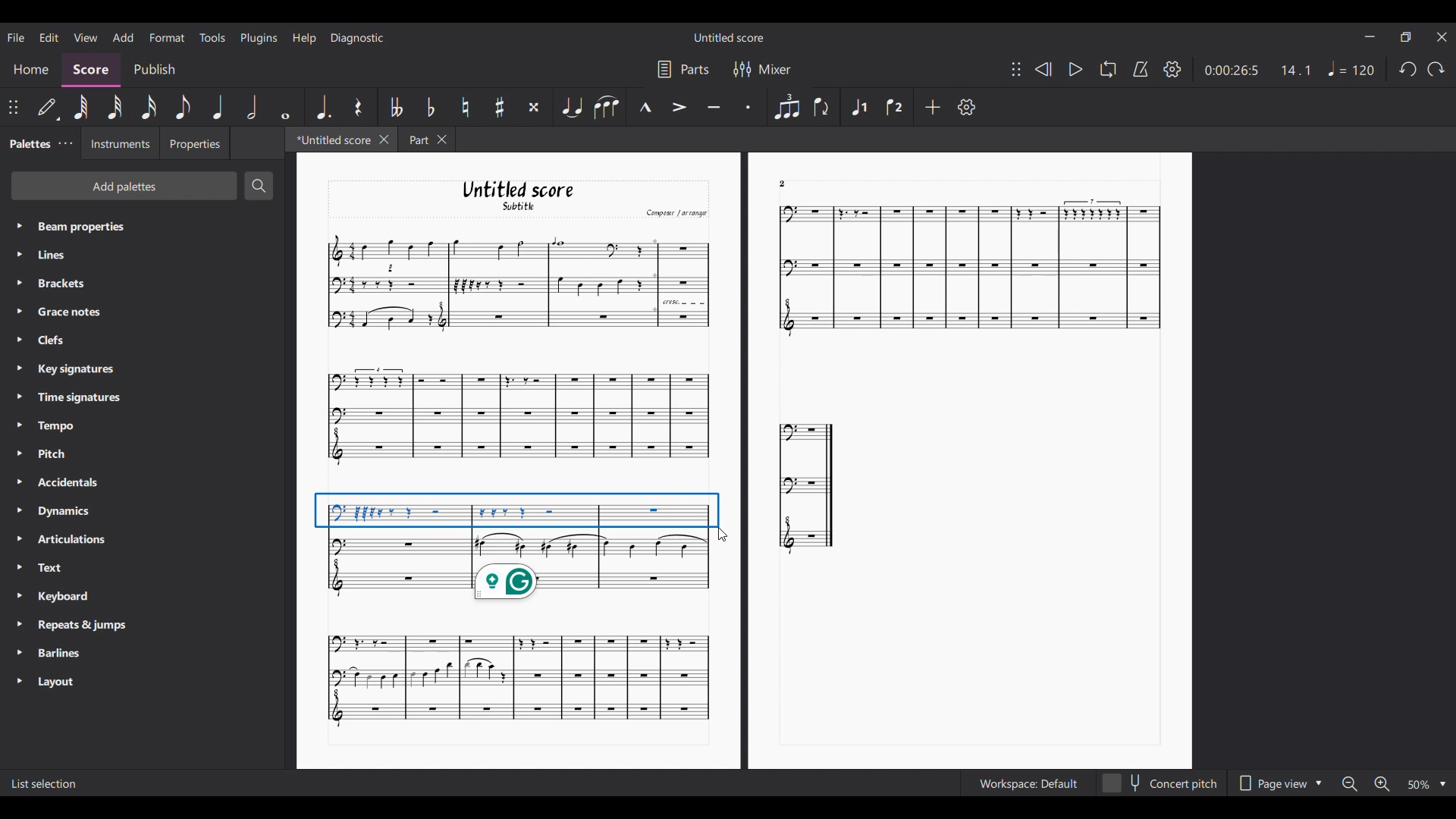 This screenshot has height=819, width=1456. I want to click on Whole note, so click(286, 108).